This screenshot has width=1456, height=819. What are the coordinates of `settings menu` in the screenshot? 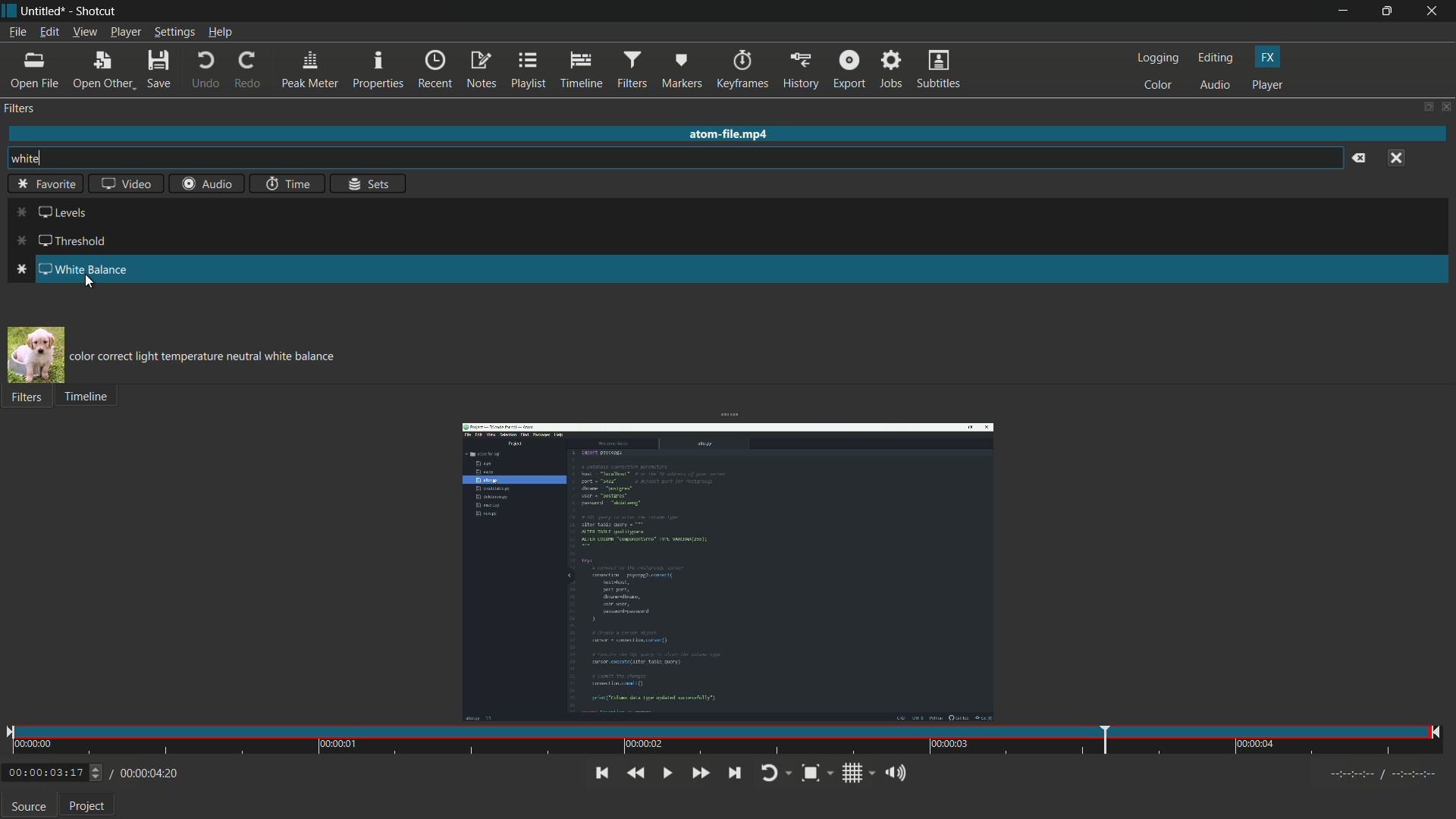 It's located at (174, 32).